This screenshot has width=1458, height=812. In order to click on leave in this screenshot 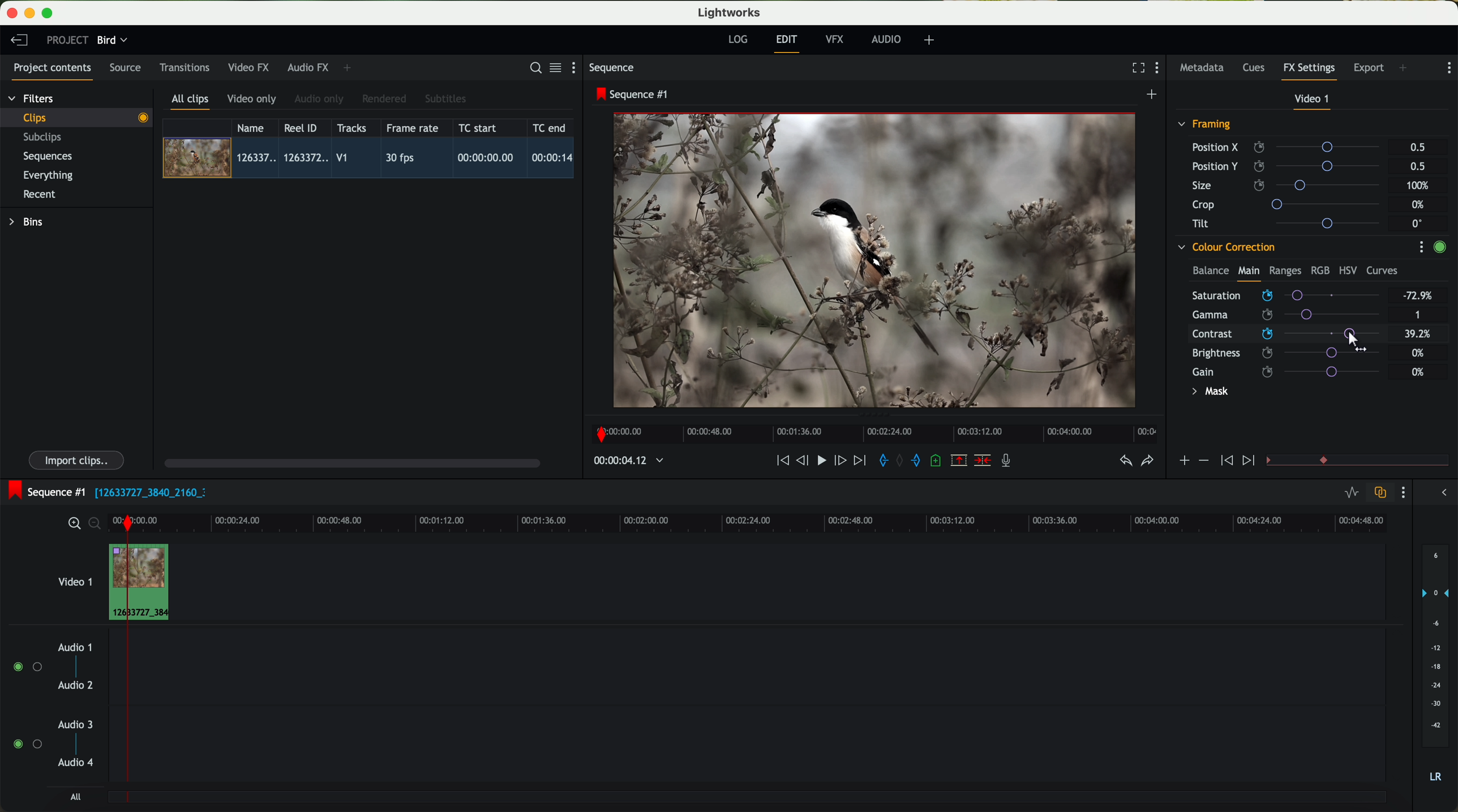, I will do `click(19, 41)`.